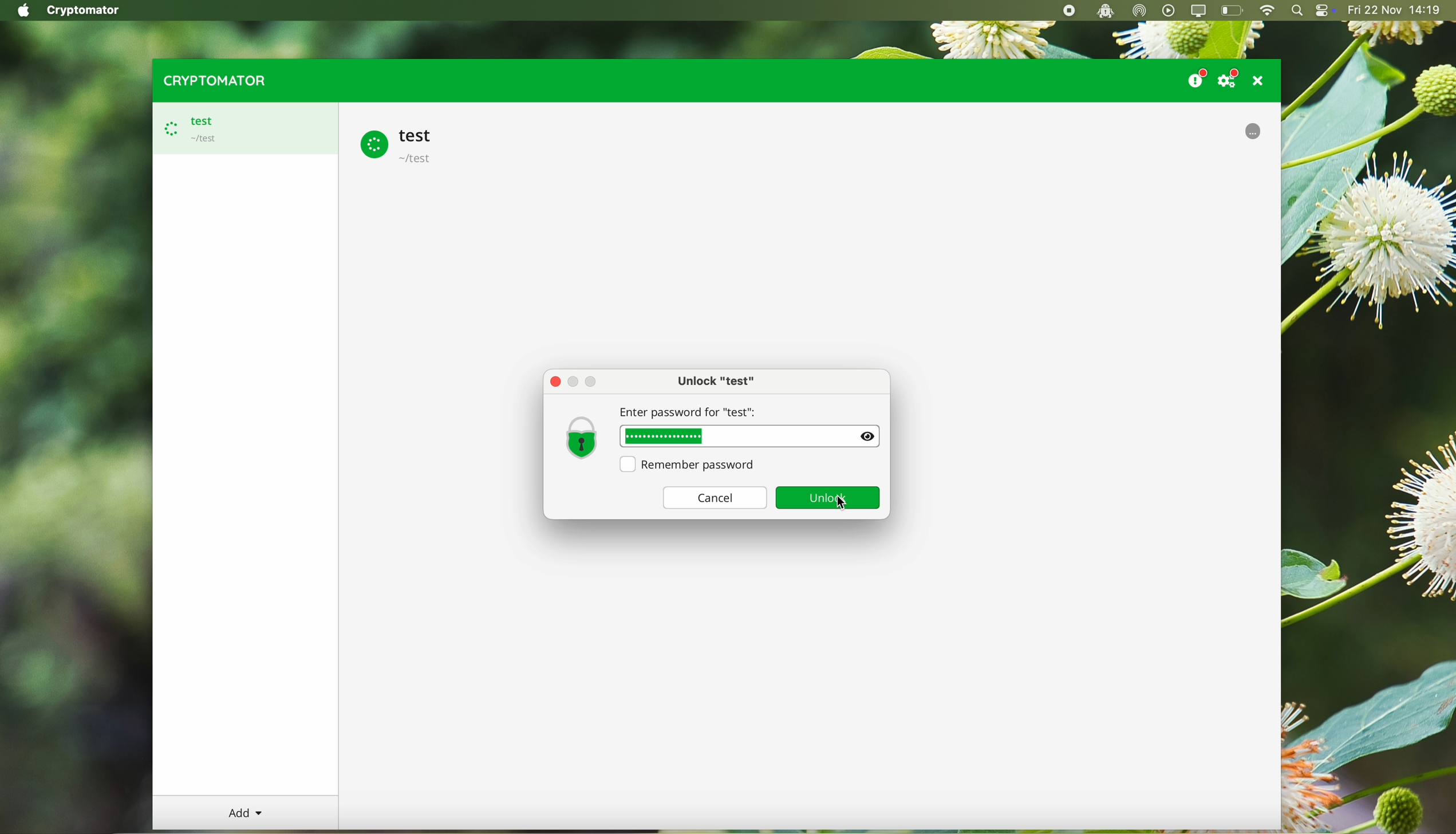  I want to click on close program, so click(1261, 80).